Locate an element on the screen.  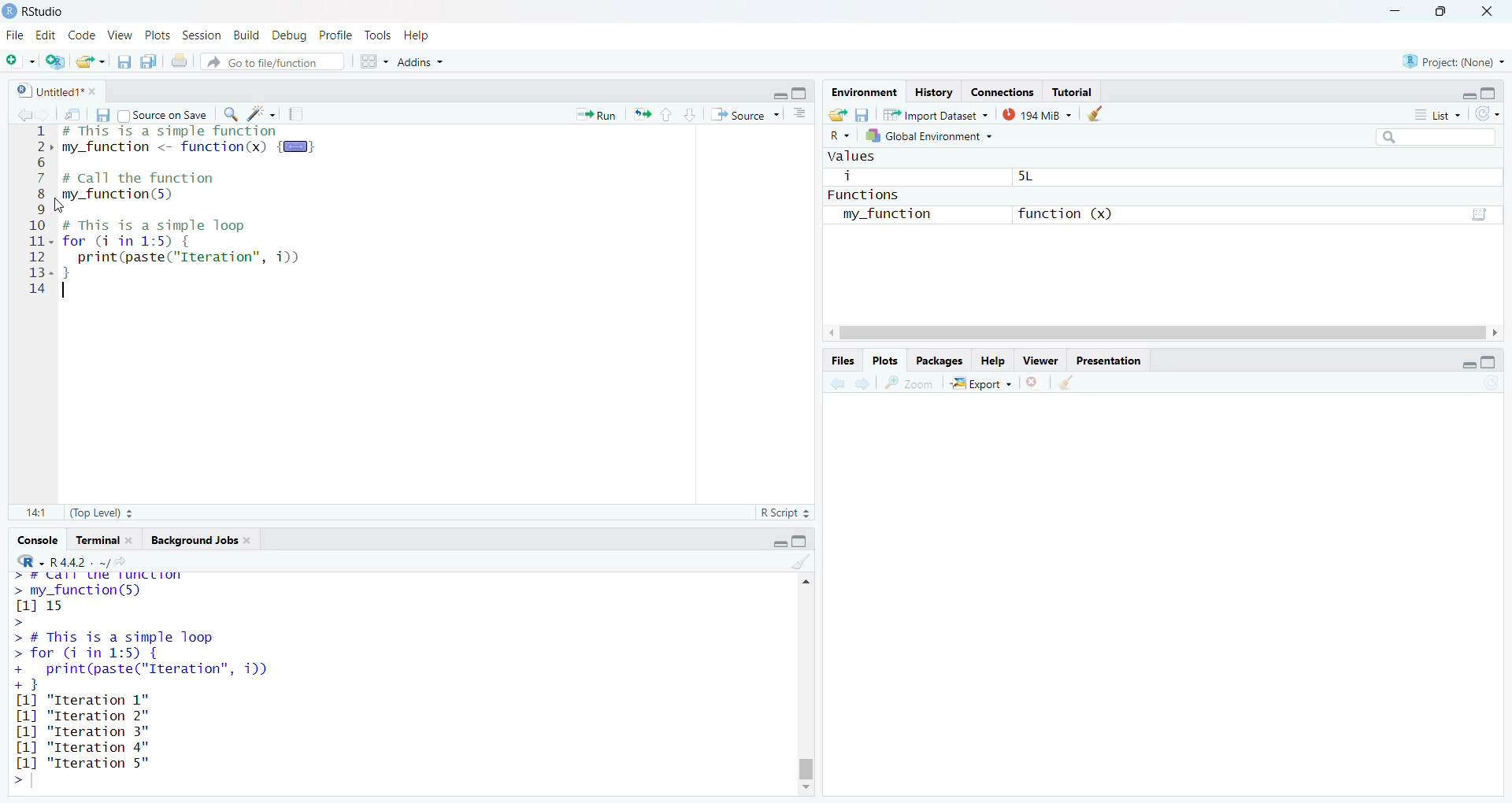
language select is located at coordinates (839, 137).